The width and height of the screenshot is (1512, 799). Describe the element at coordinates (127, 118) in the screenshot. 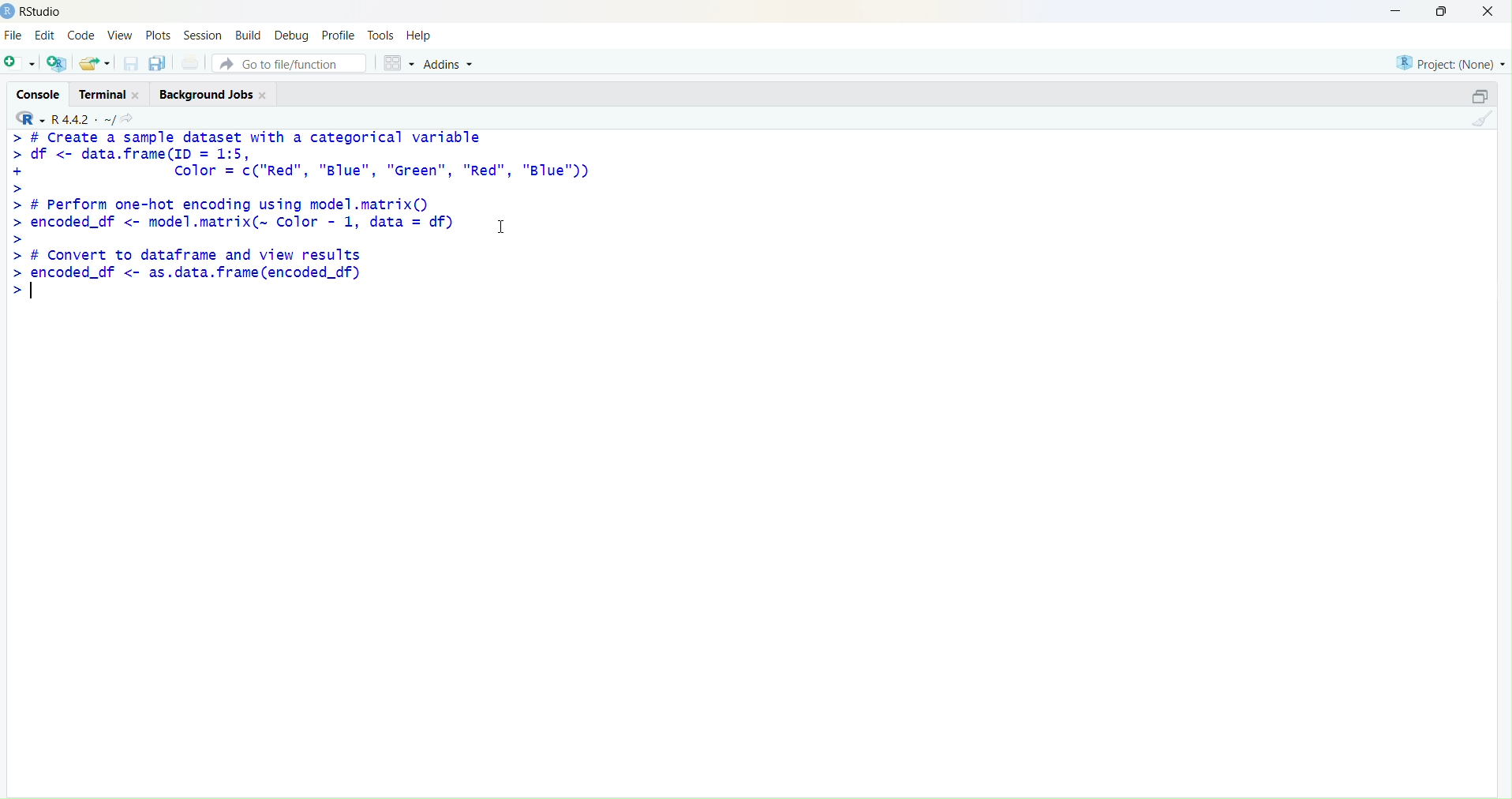

I see `share icon` at that location.